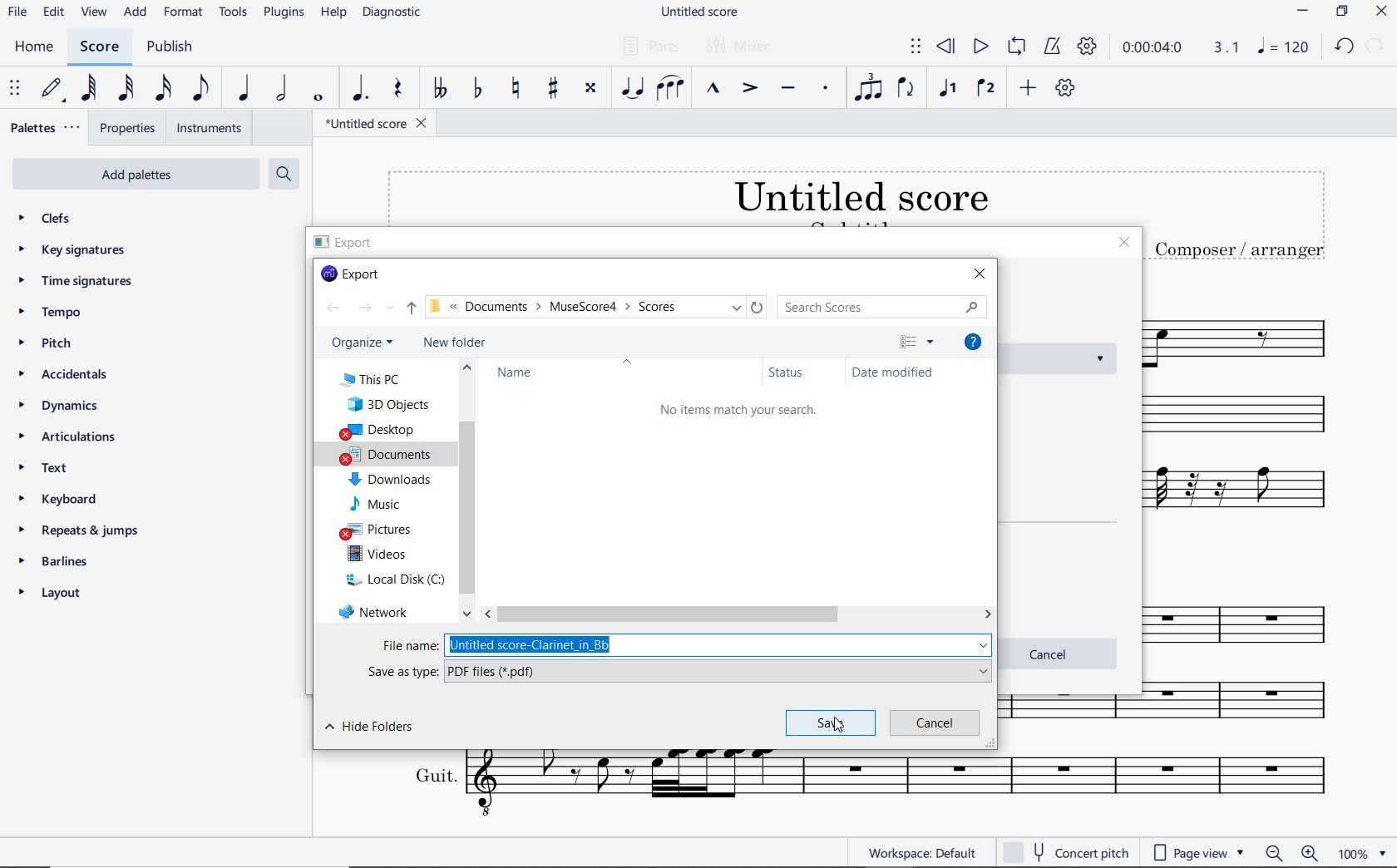 The height and width of the screenshot is (868, 1397). I want to click on cursor, so click(842, 727).